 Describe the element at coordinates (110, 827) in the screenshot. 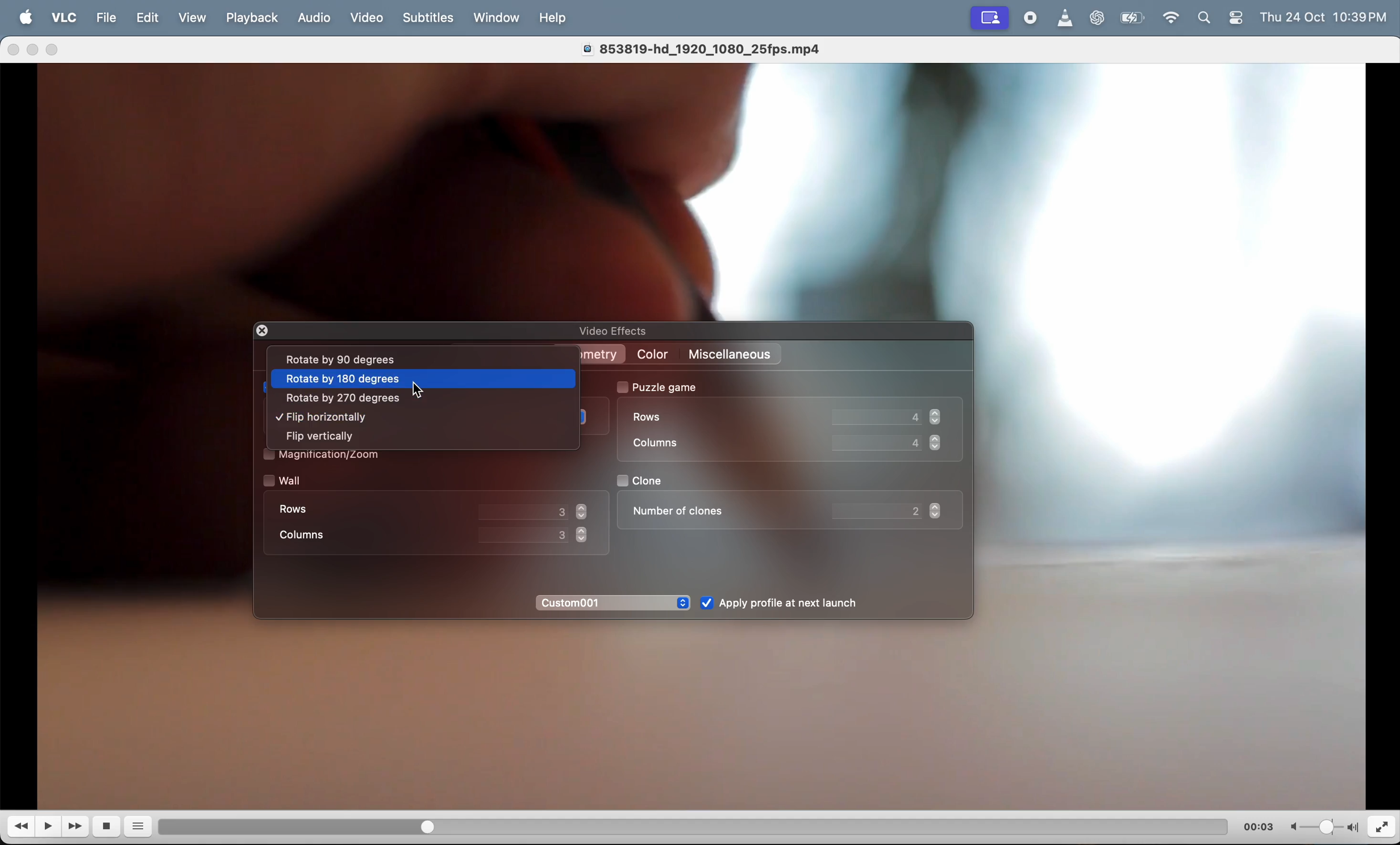

I see `stop` at that location.